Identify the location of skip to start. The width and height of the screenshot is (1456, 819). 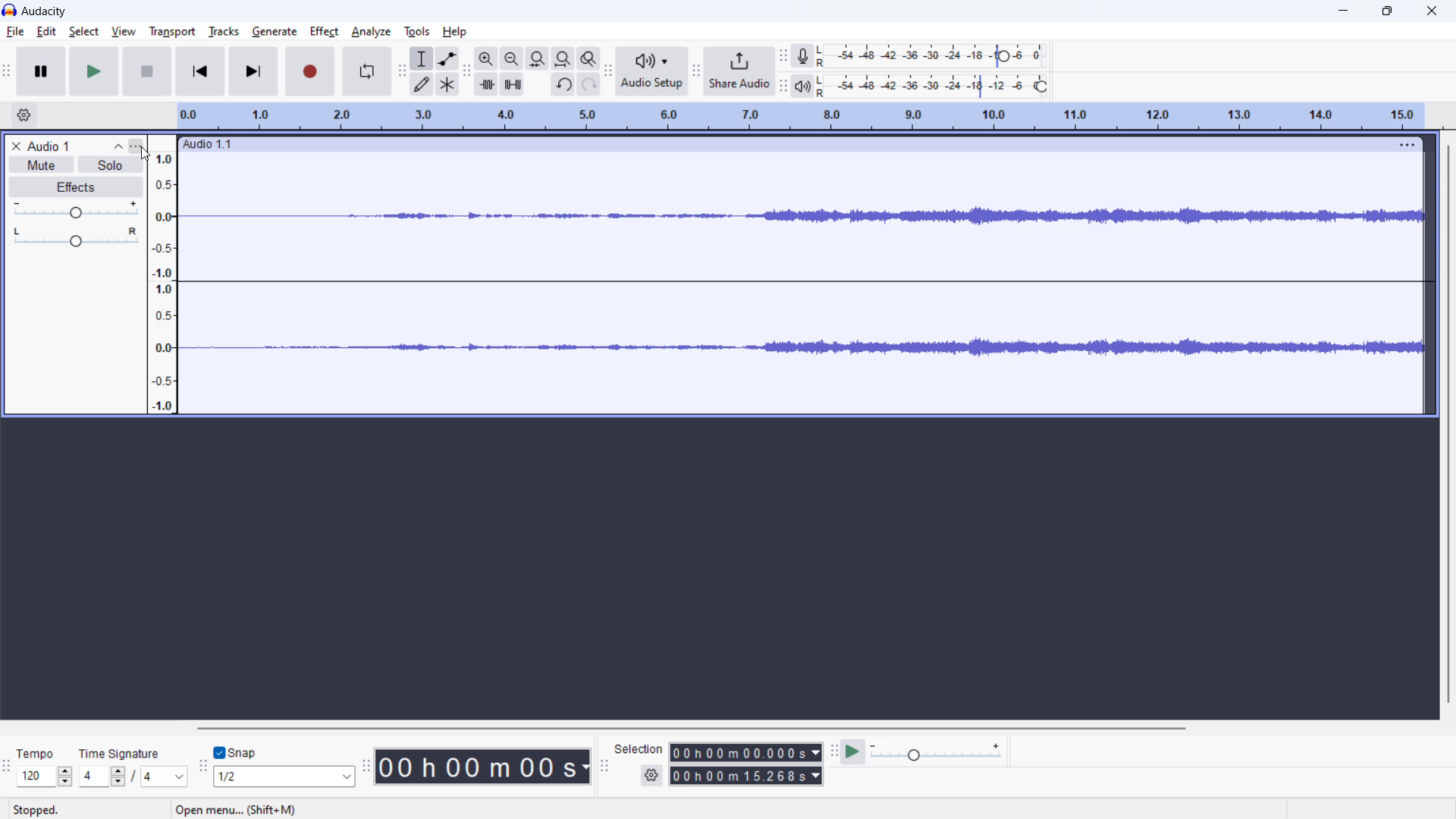
(200, 71).